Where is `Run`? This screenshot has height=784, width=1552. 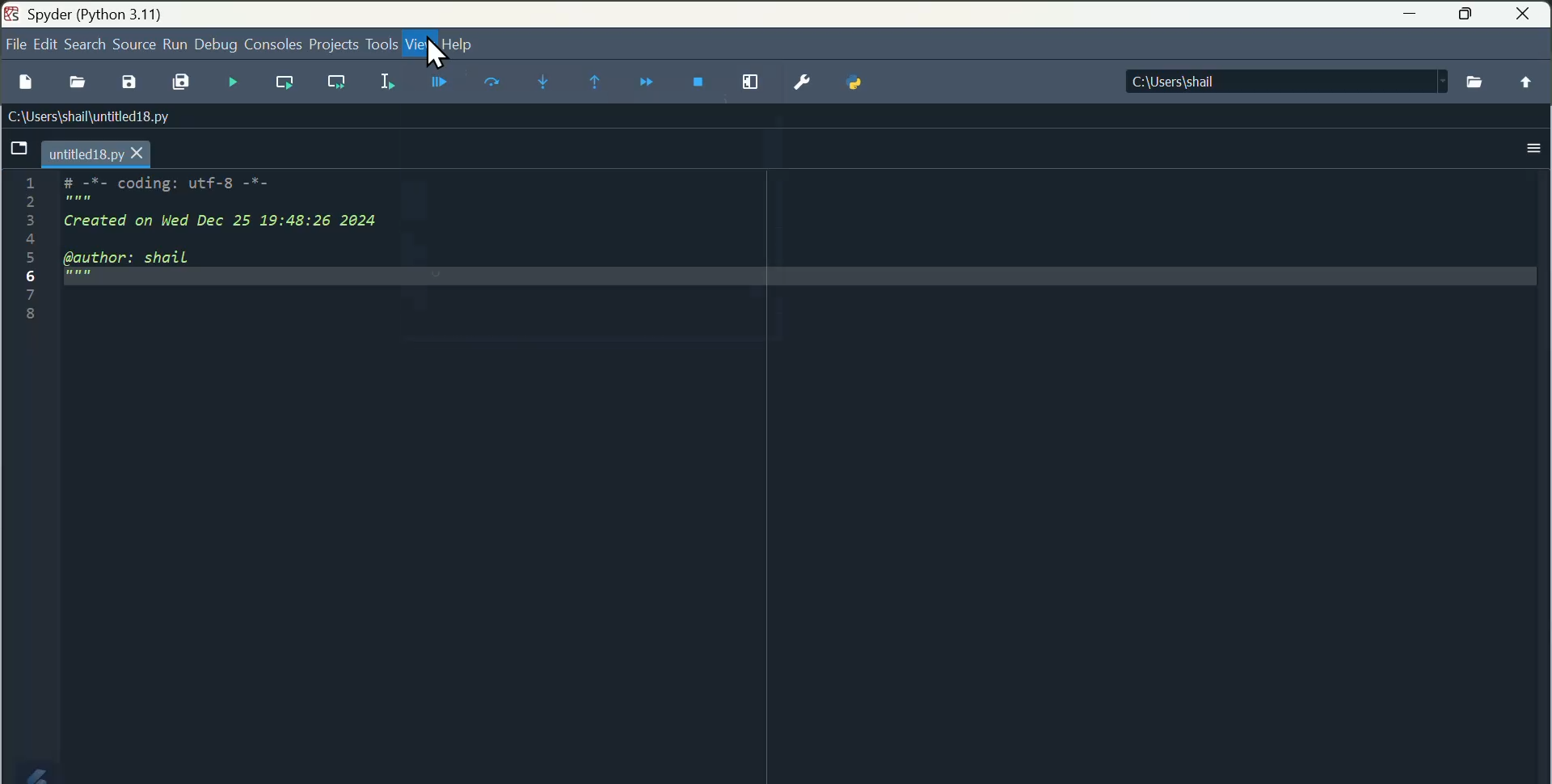
Run is located at coordinates (177, 43).